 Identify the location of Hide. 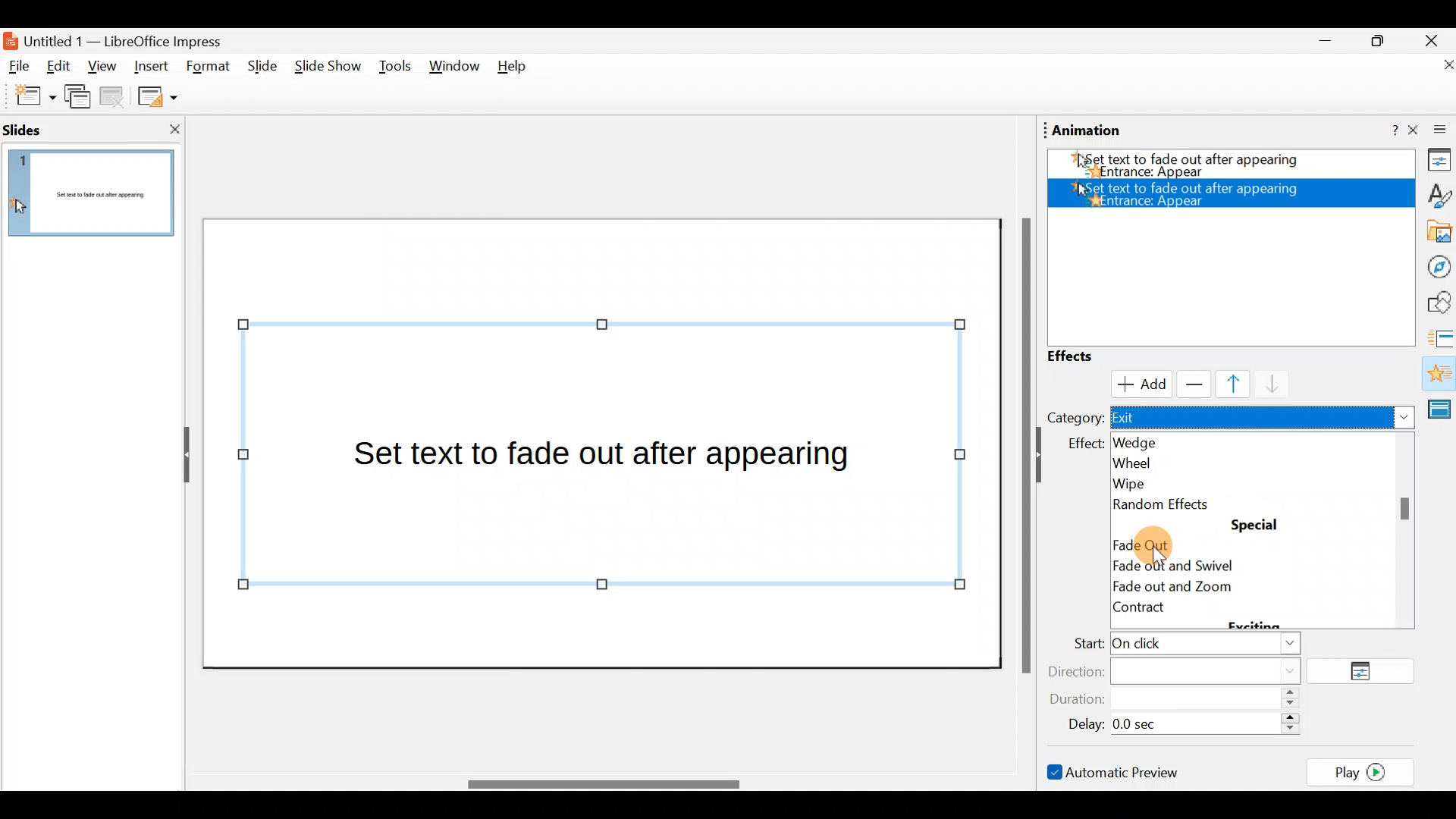
(180, 456).